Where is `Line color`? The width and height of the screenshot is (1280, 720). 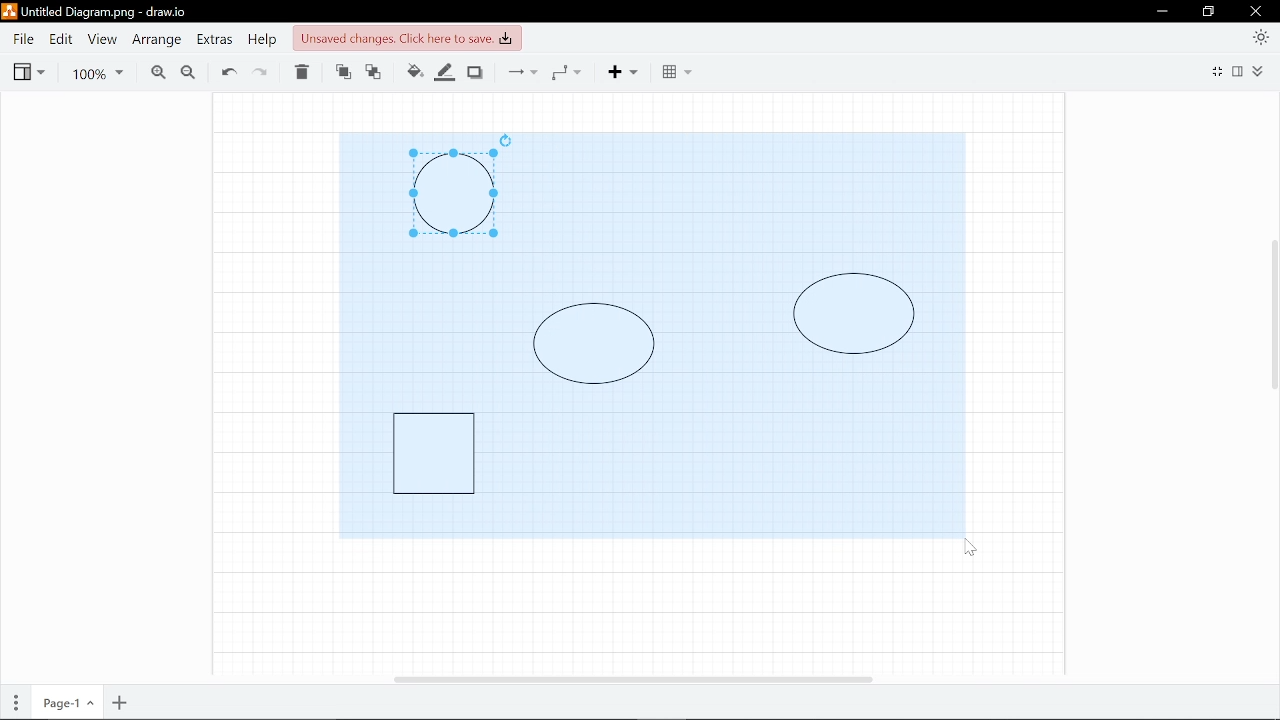 Line color is located at coordinates (446, 70).